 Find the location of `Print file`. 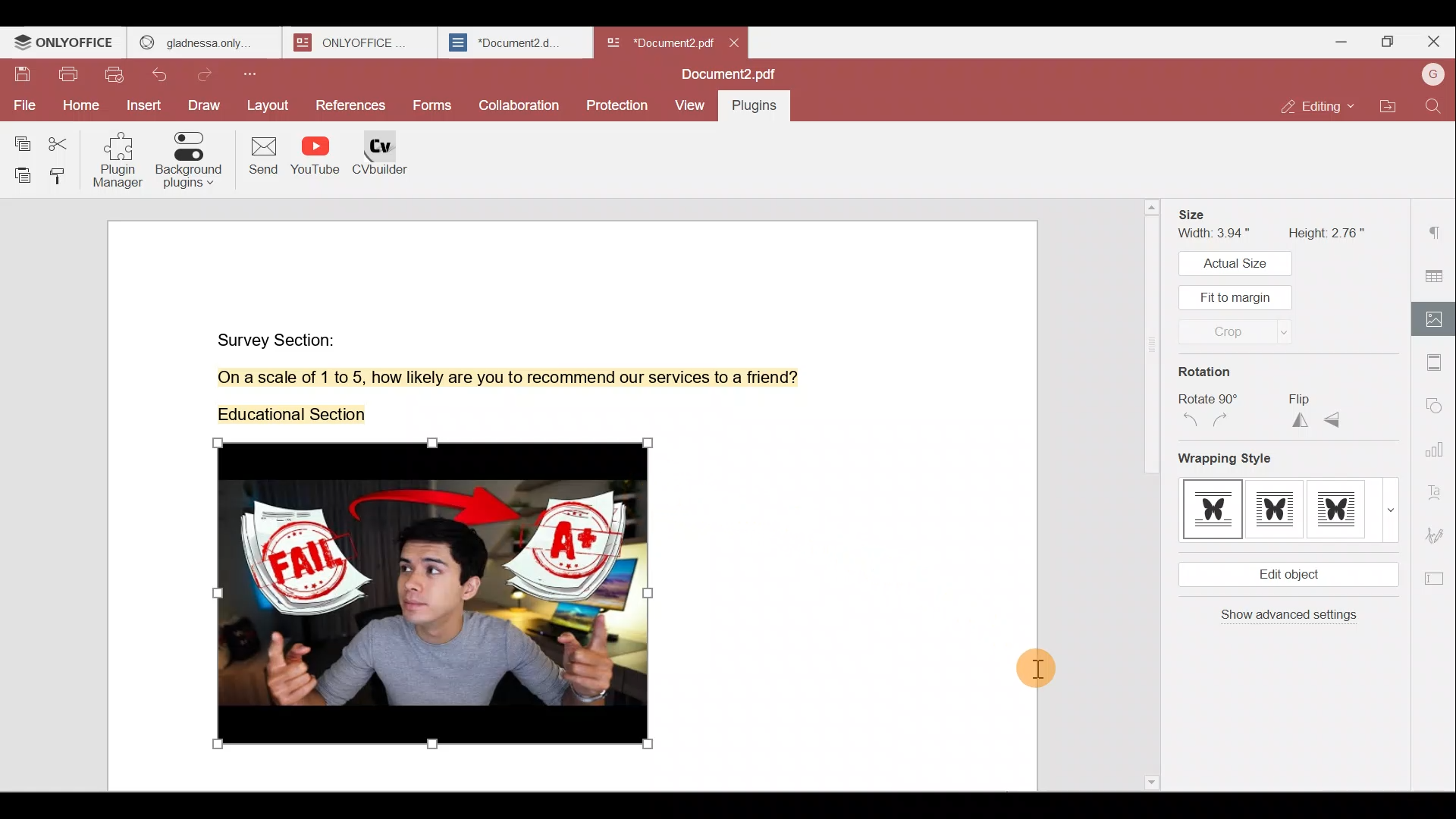

Print file is located at coordinates (67, 77).